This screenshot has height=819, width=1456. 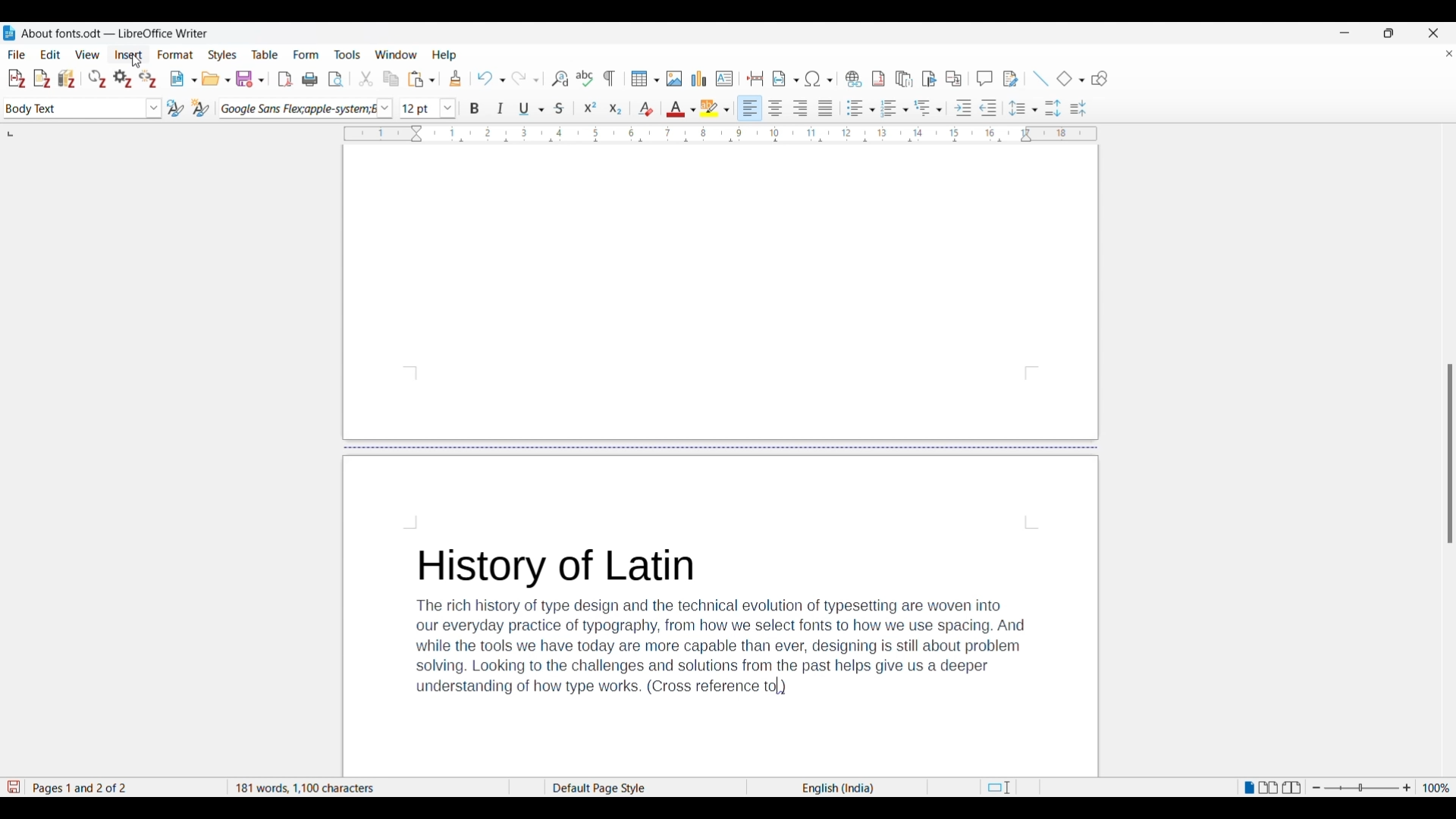 I want to click on Insert cross-reference, so click(x=953, y=79).